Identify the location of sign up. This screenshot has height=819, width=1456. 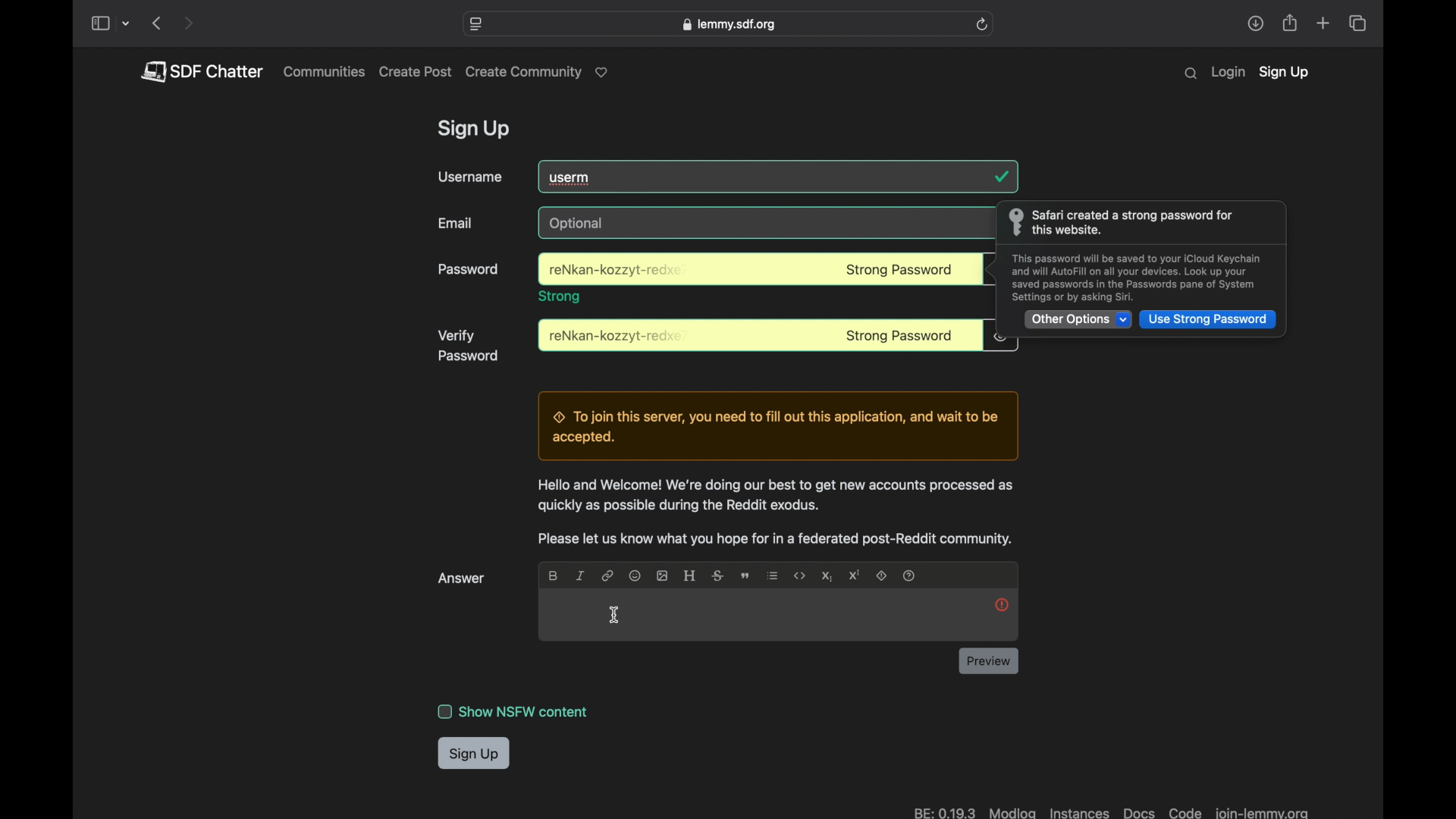
(476, 130).